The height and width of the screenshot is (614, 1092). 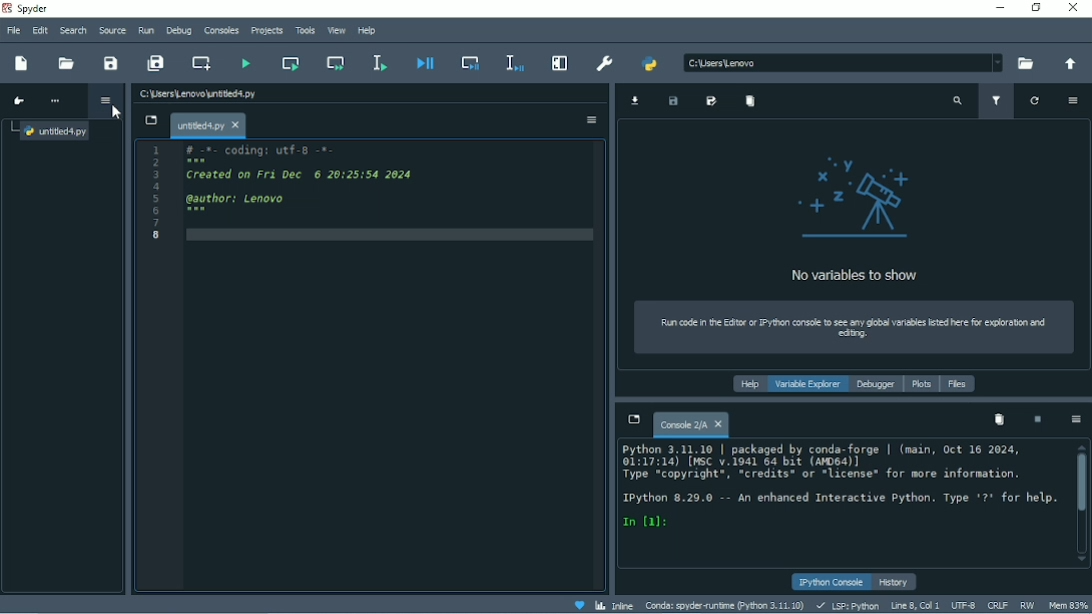 I want to click on PYTHONPATH manager, so click(x=649, y=65).